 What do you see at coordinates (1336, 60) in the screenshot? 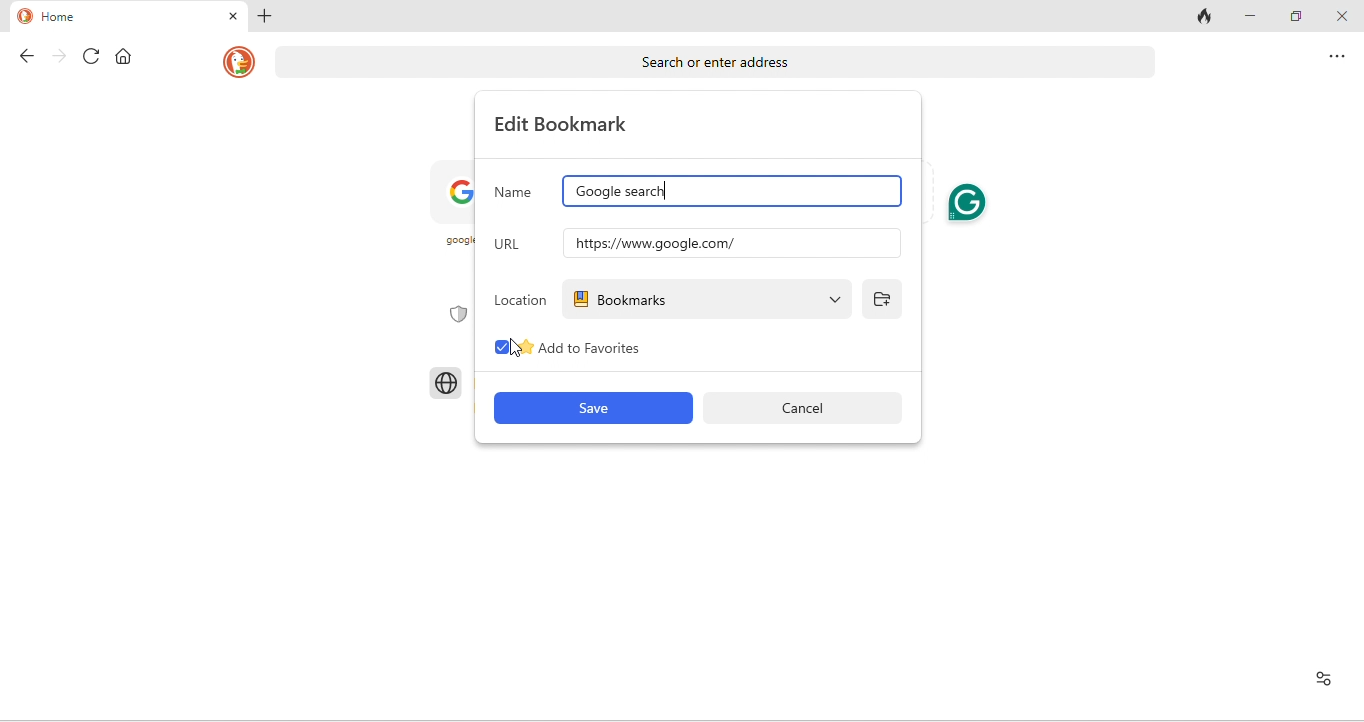
I see `option` at bounding box center [1336, 60].